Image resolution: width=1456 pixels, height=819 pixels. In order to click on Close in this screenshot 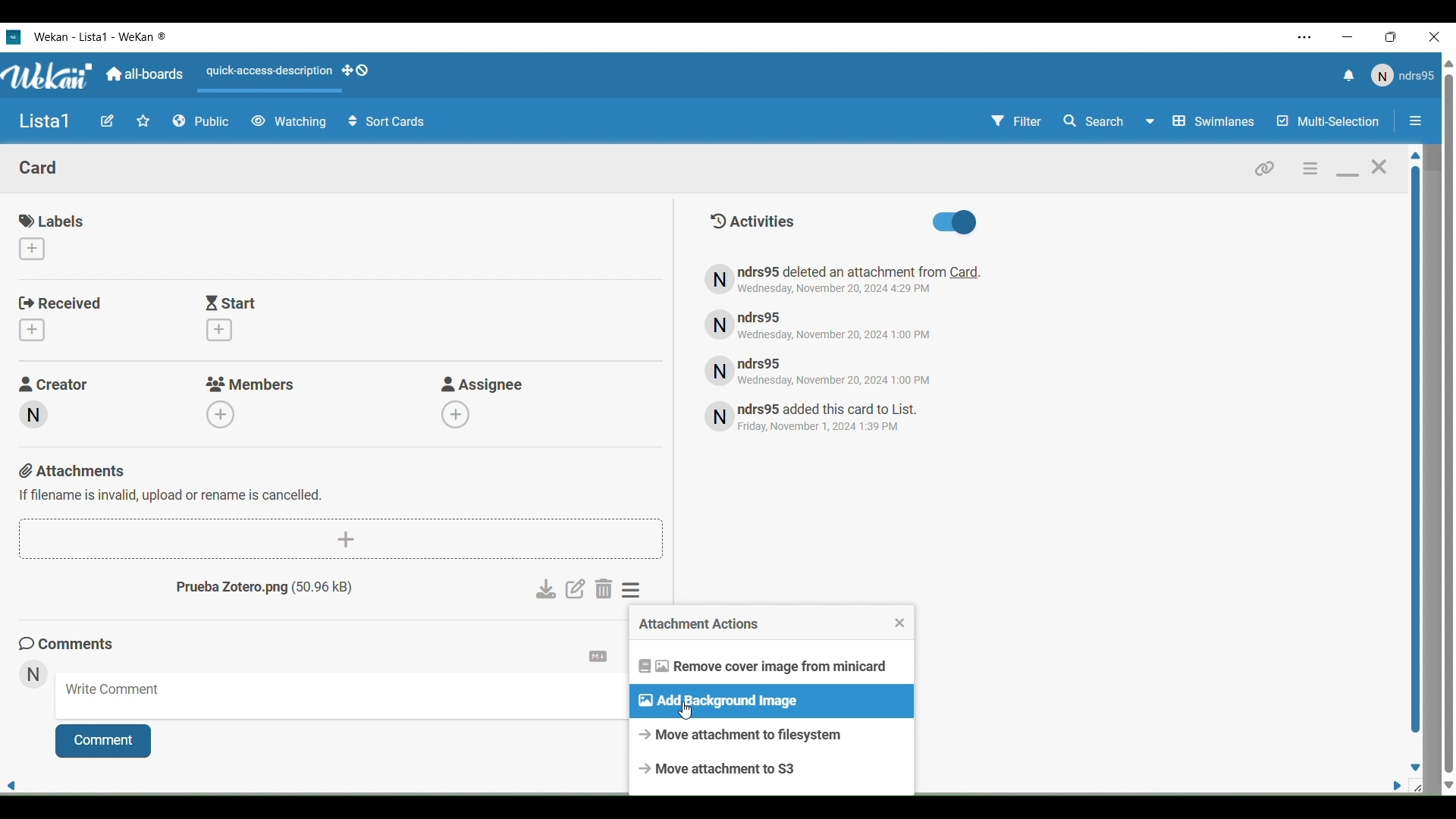, I will do `click(900, 623)`.